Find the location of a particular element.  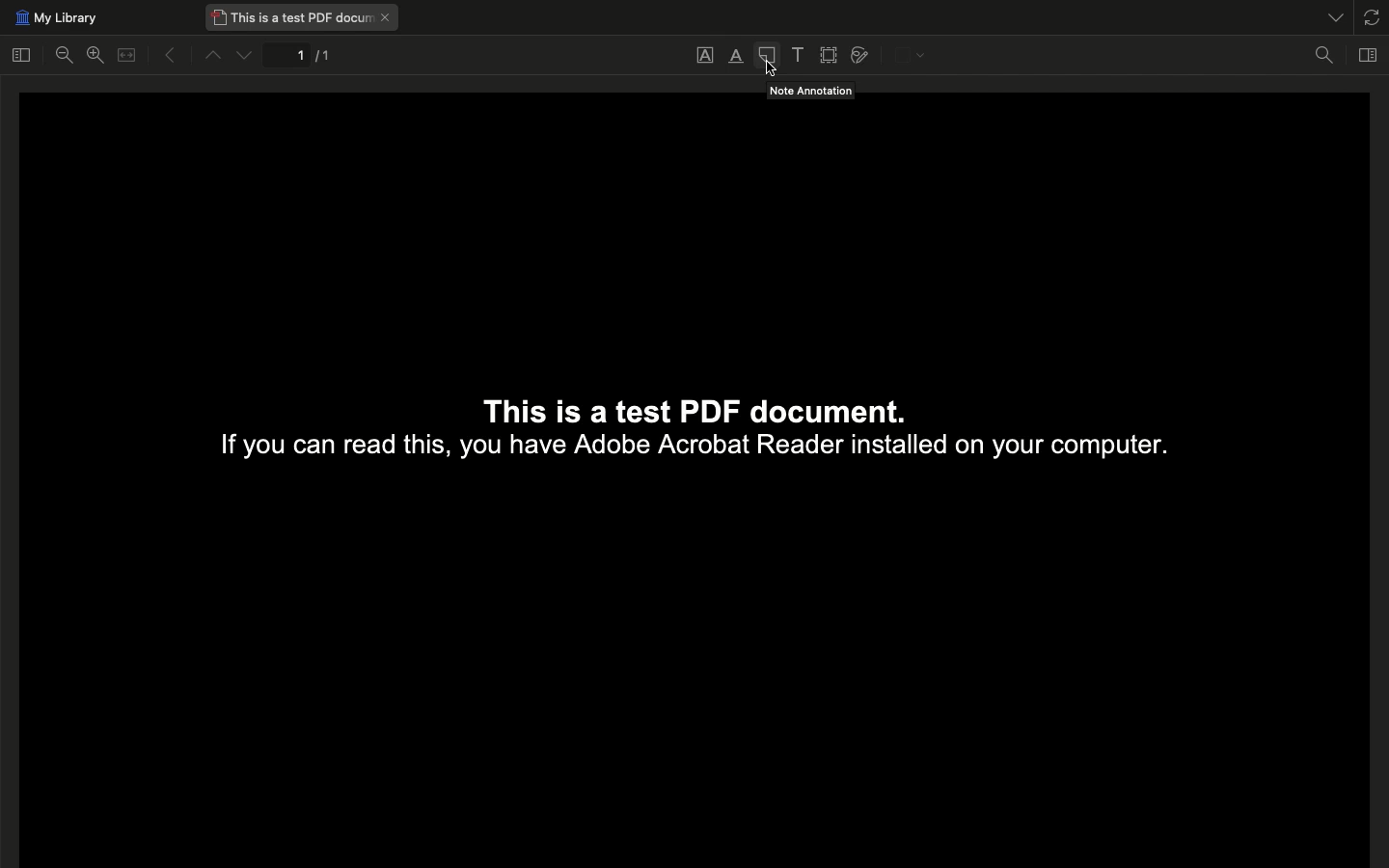

My library is located at coordinates (54, 18).